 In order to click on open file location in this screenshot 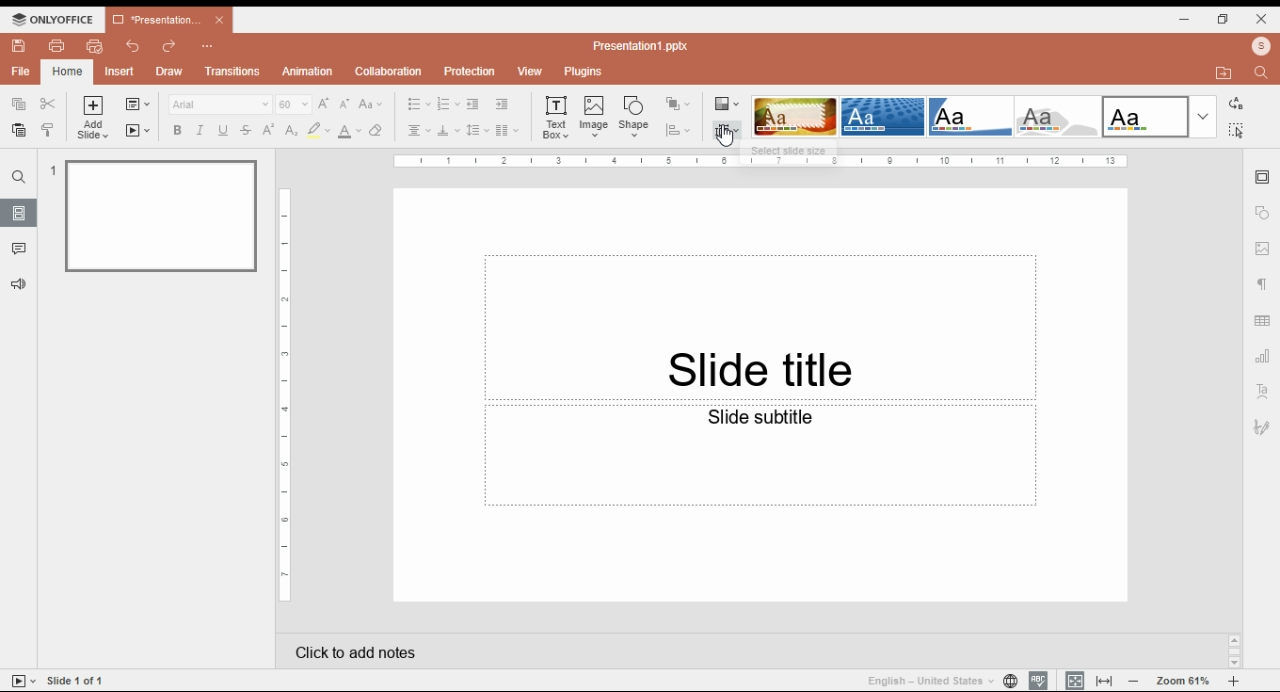, I will do `click(1227, 74)`.